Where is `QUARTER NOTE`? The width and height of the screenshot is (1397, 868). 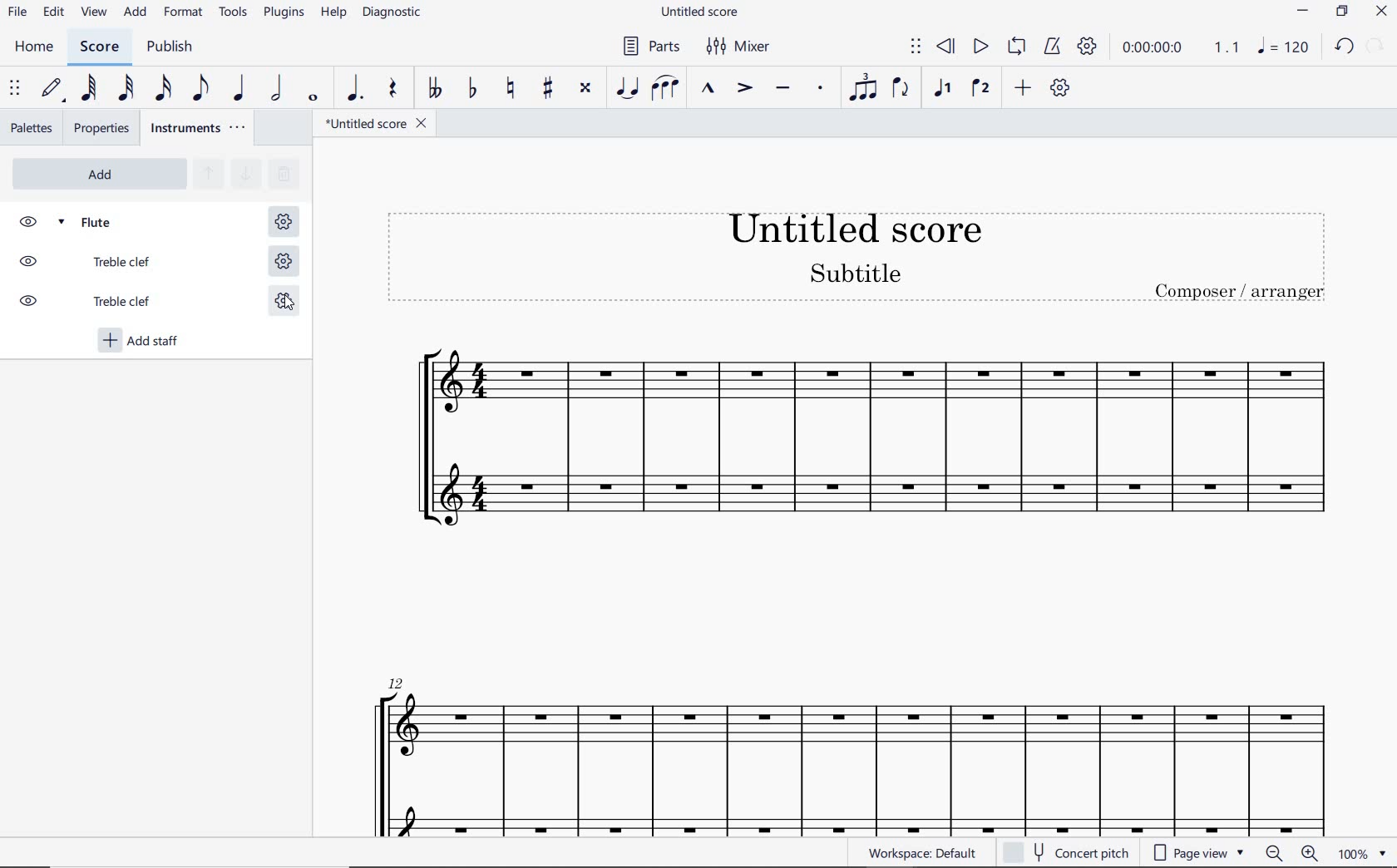
QUARTER NOTE is located at coordinates (239, 89).